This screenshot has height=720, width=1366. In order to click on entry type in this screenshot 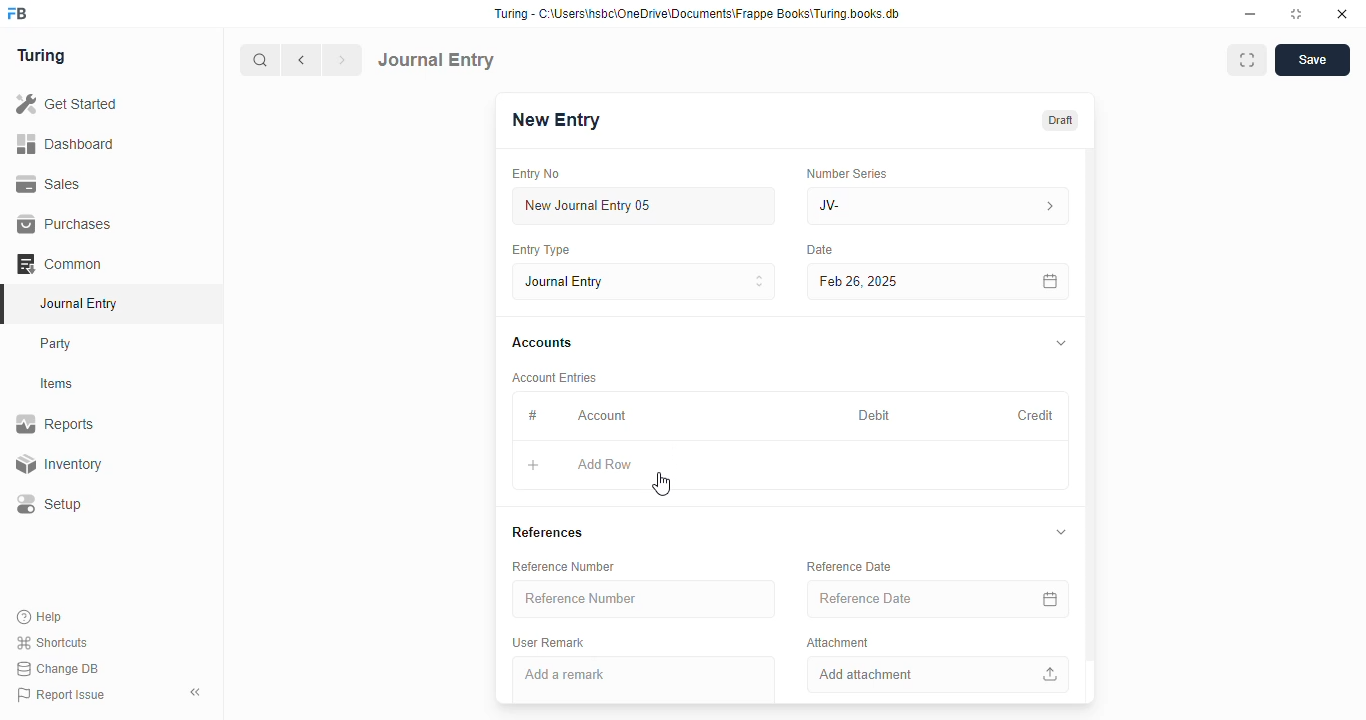, I will do `click(541, 250)`.